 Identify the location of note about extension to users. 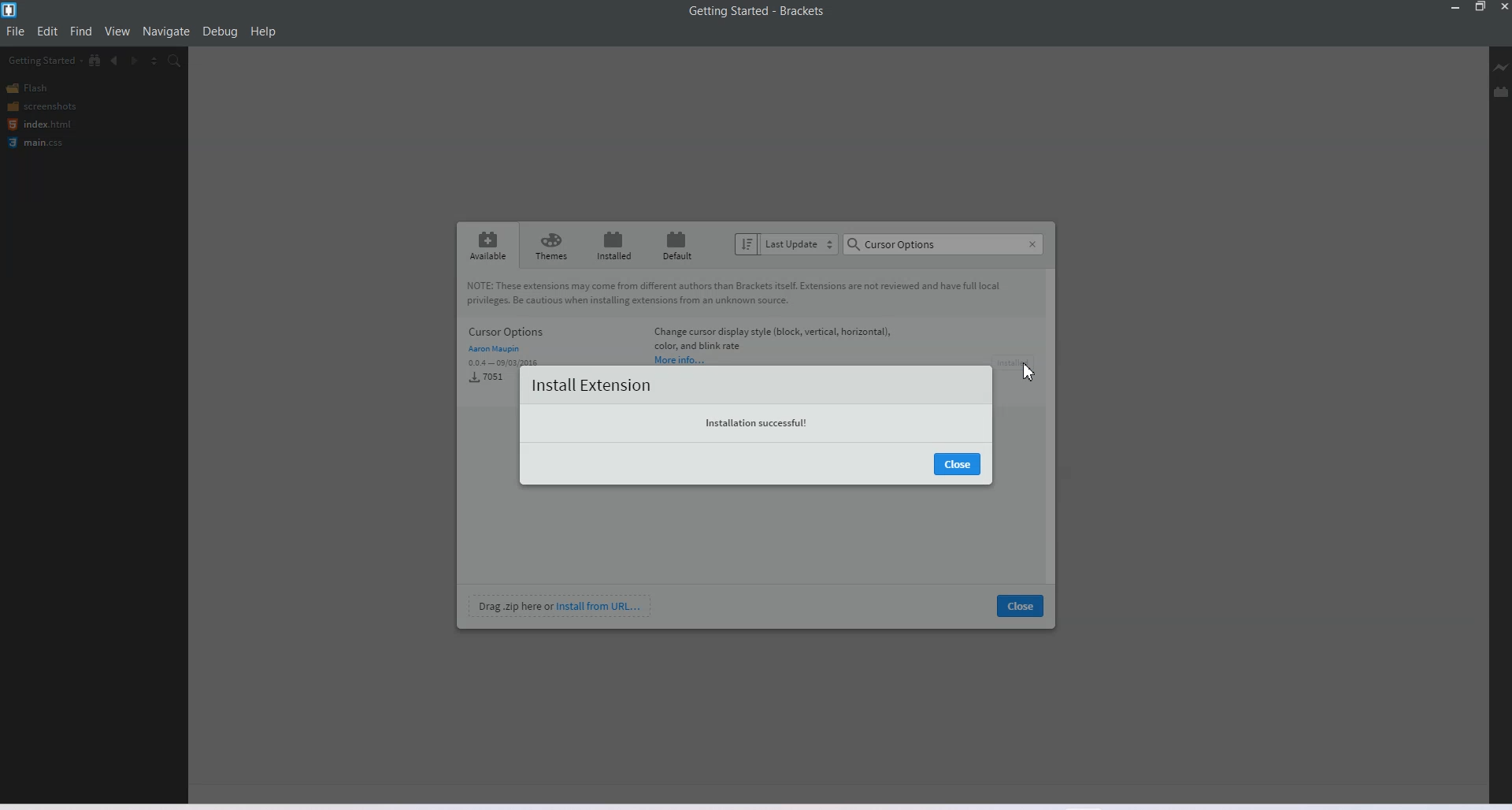
(744, 293).